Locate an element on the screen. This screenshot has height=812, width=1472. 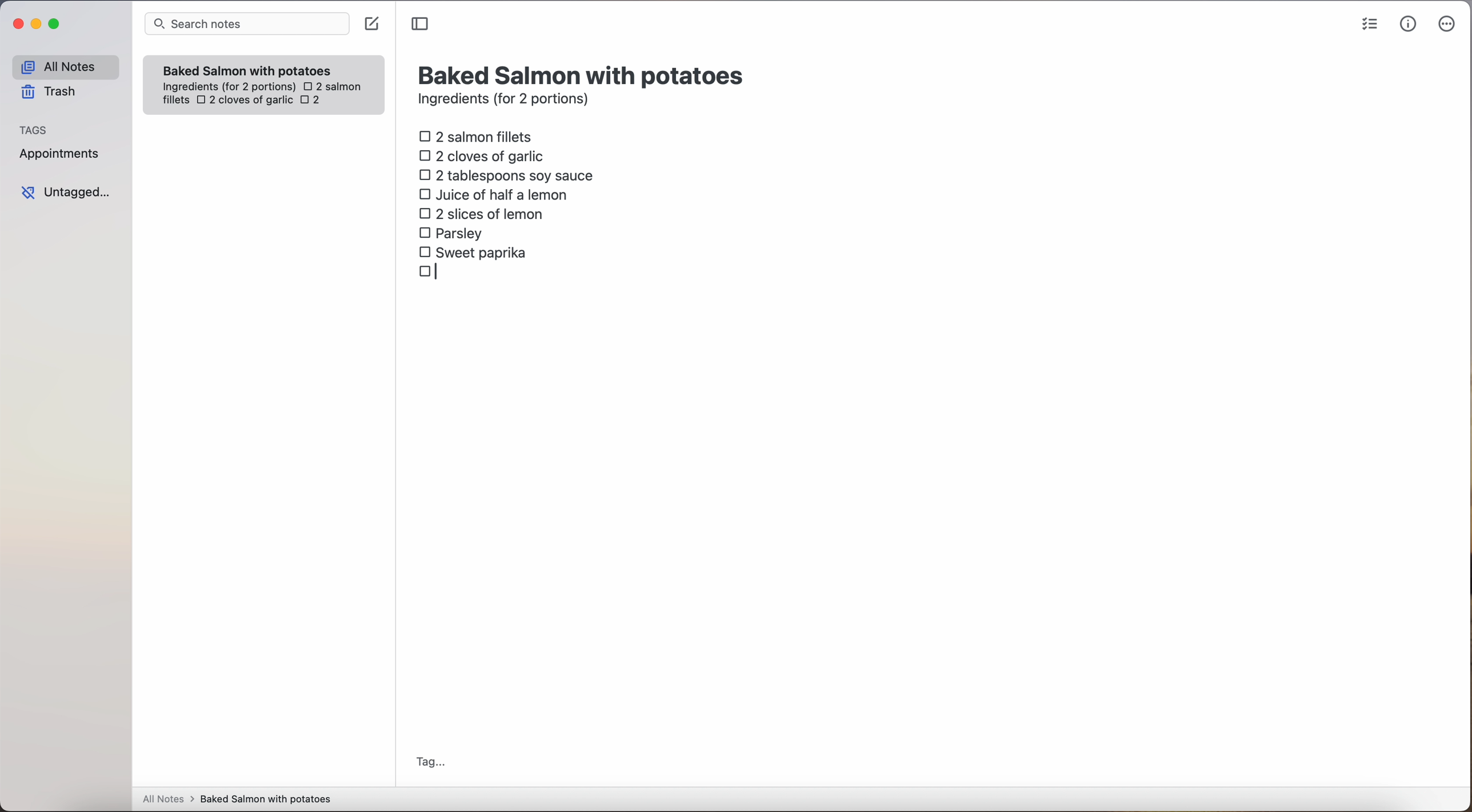
2 cloves of garlic is located at coordinates (245, 101).